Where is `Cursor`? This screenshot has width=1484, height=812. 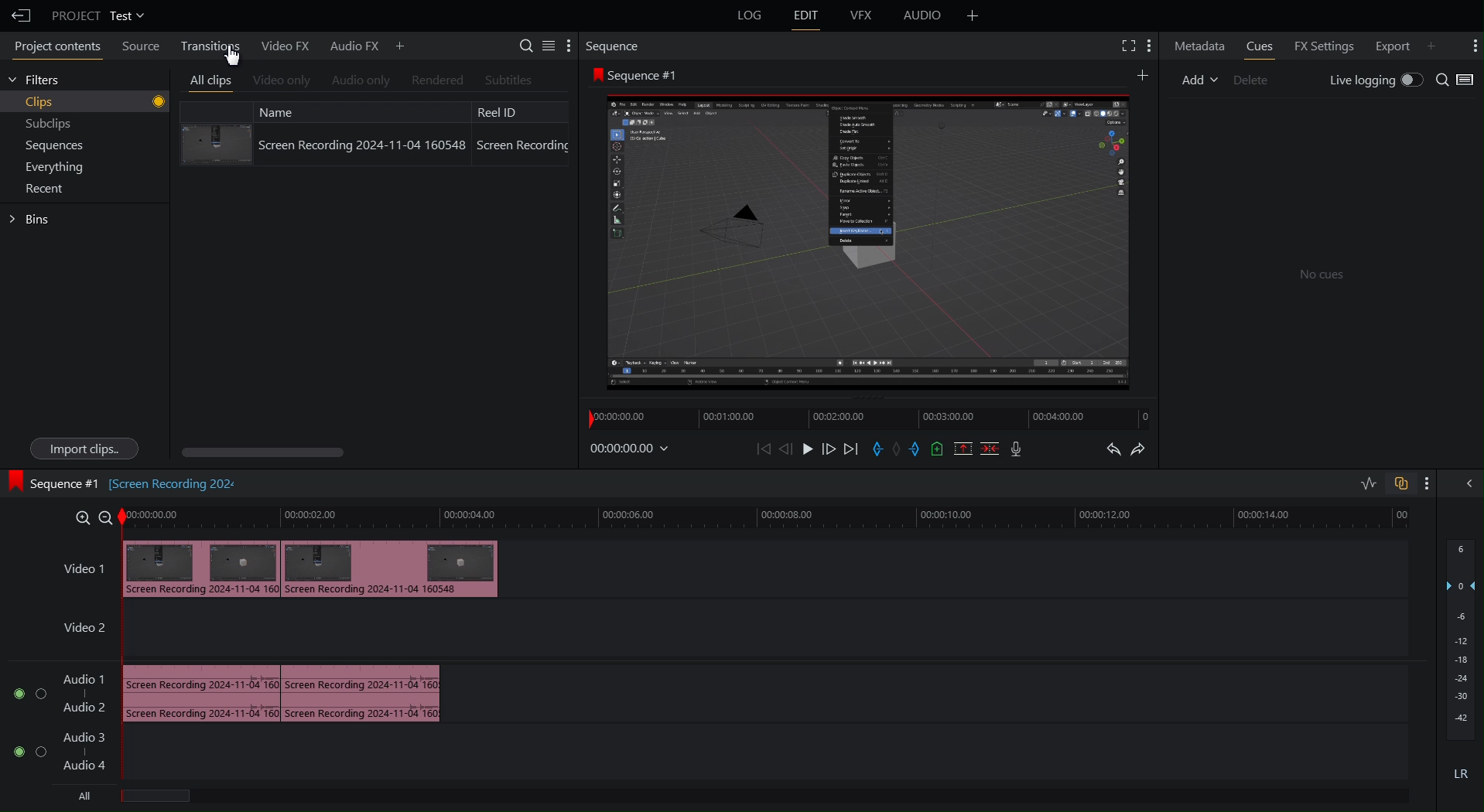
Cursor is located at coordinates (234, 58).